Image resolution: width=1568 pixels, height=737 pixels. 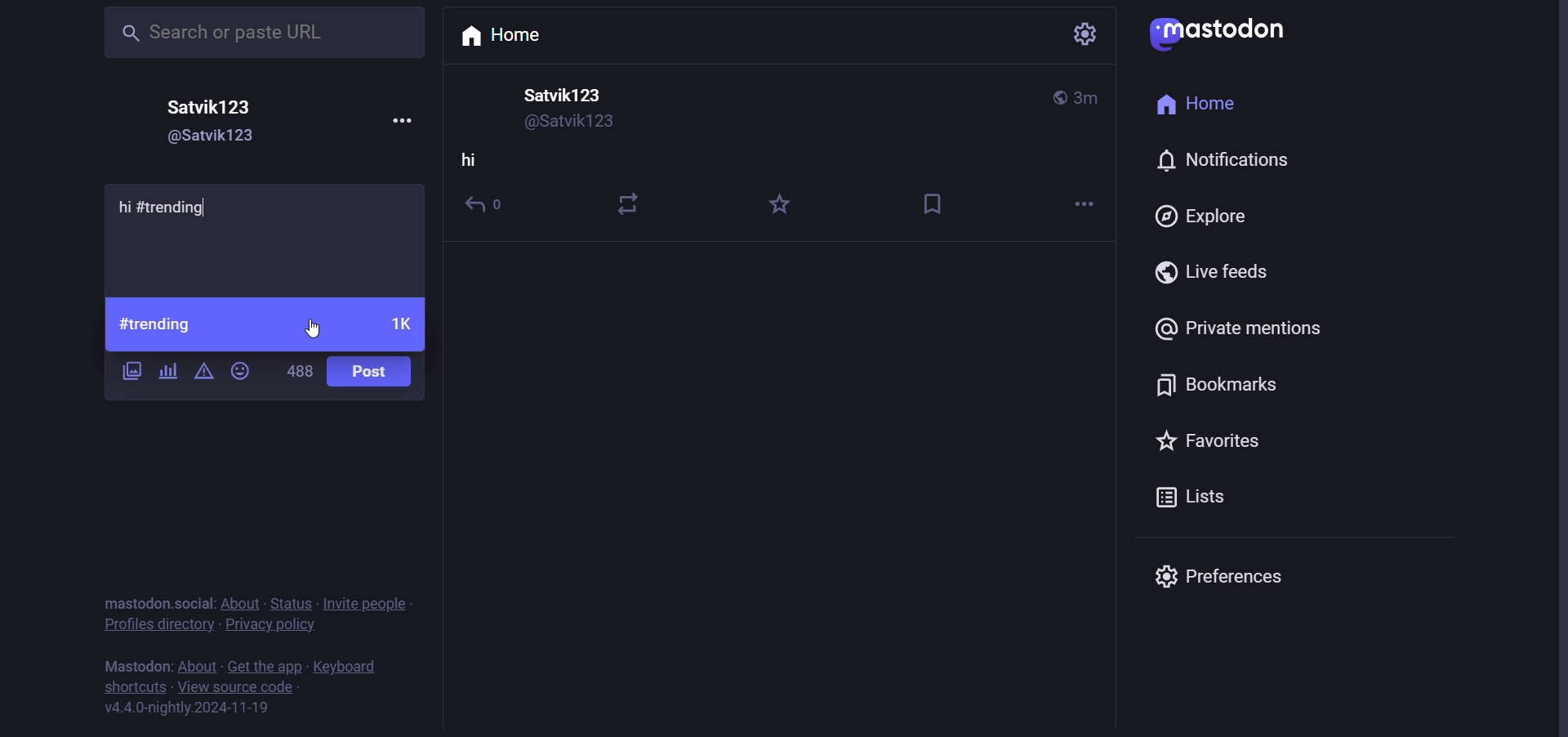 What do you see at coordinates (260, 33) in the screenshot?
I see `search` at bounding box center [260, 33].